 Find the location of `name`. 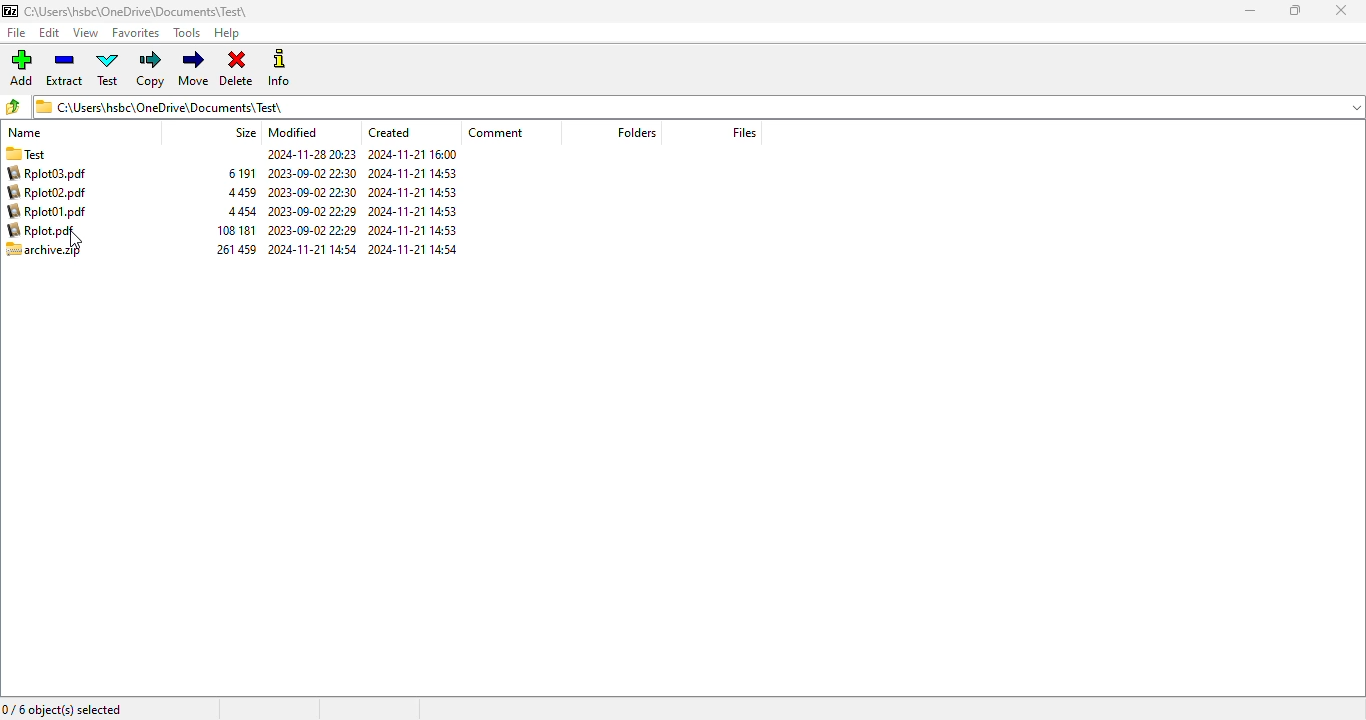

name is located at coordinates (25, 132).